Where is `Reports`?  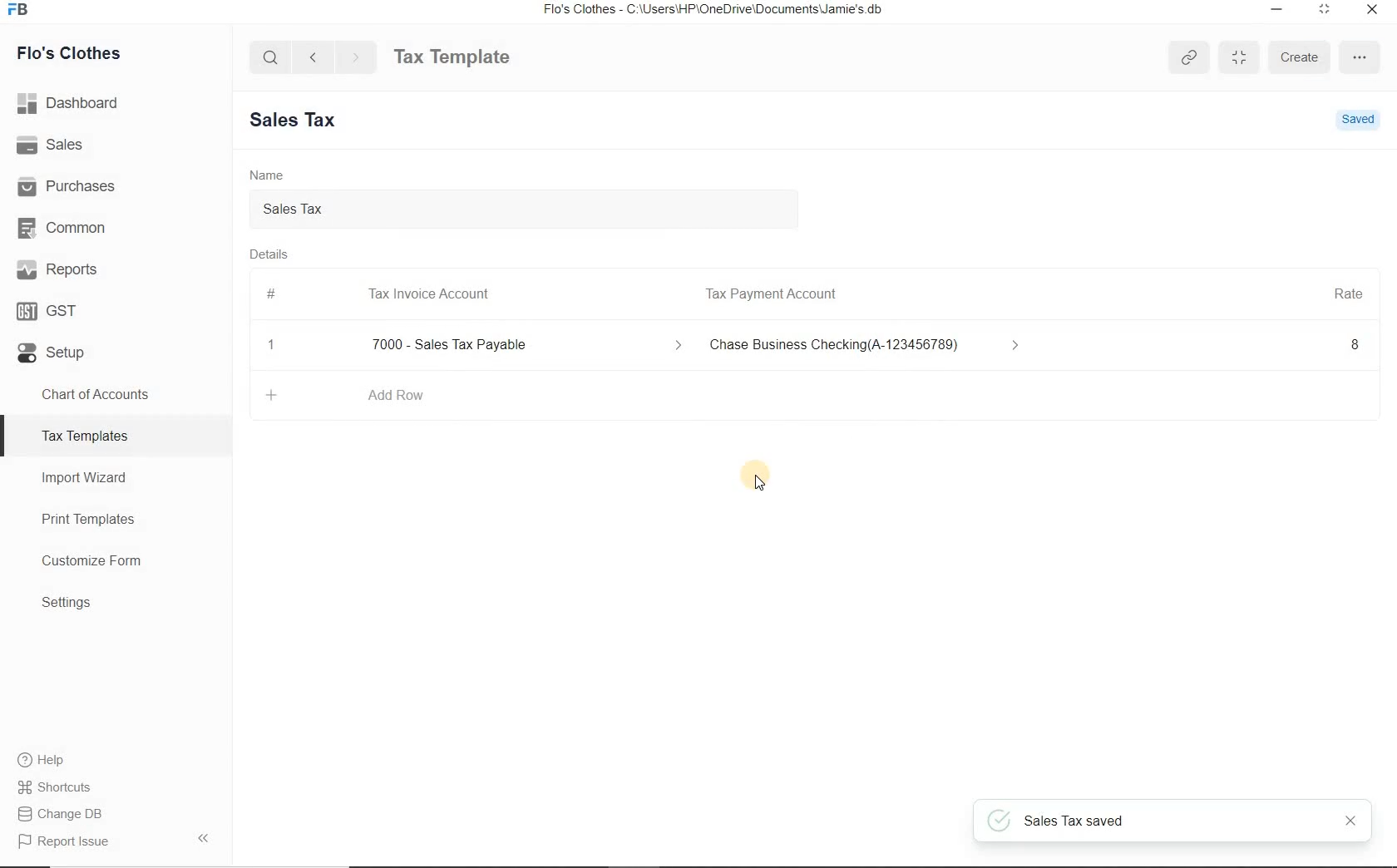 Reports is located at coordinates (116, 268).